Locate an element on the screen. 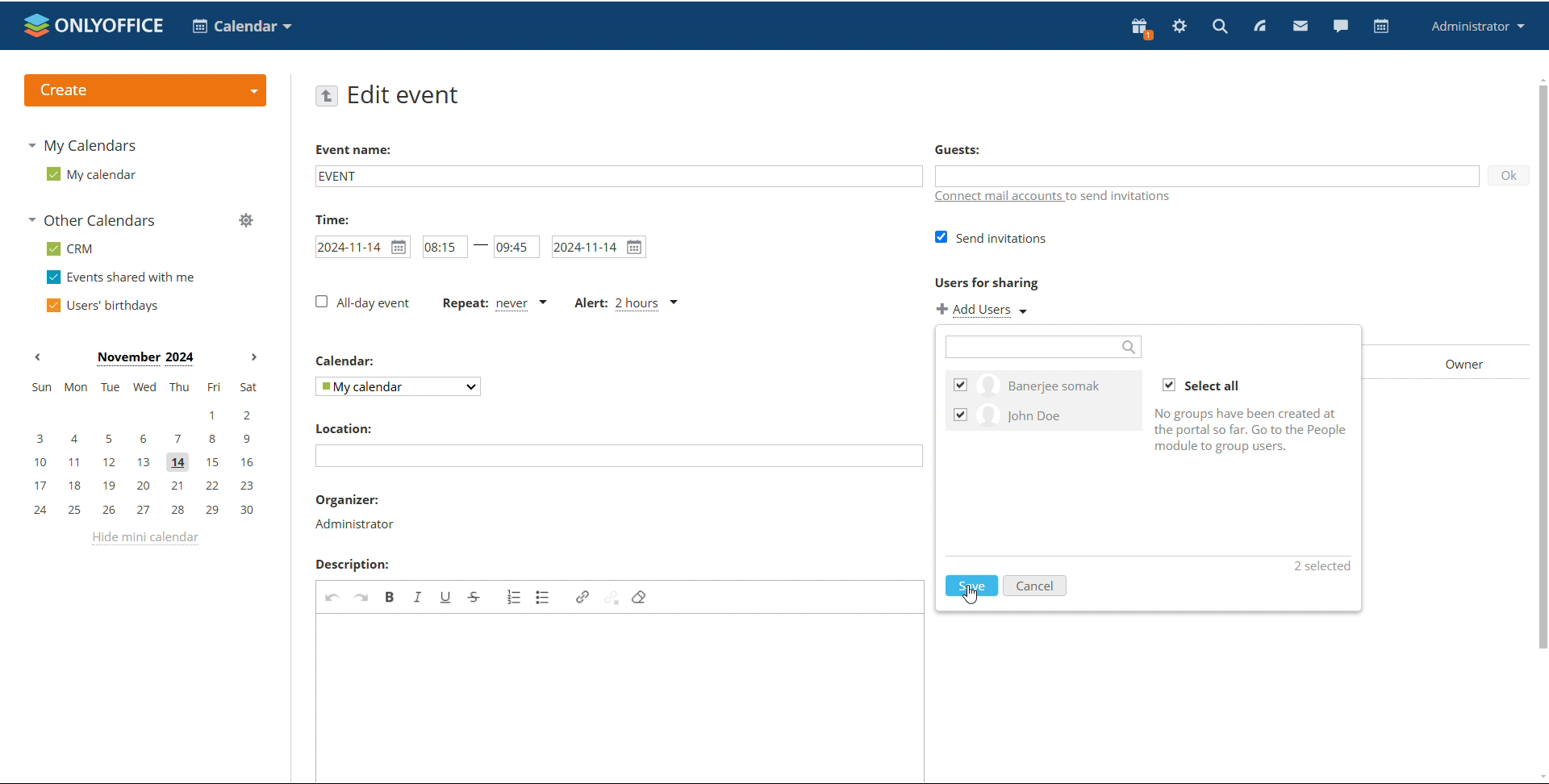 The width and height of the screenshot is (1549, 784). all day event checkbox is located at coordinates (361, 302).